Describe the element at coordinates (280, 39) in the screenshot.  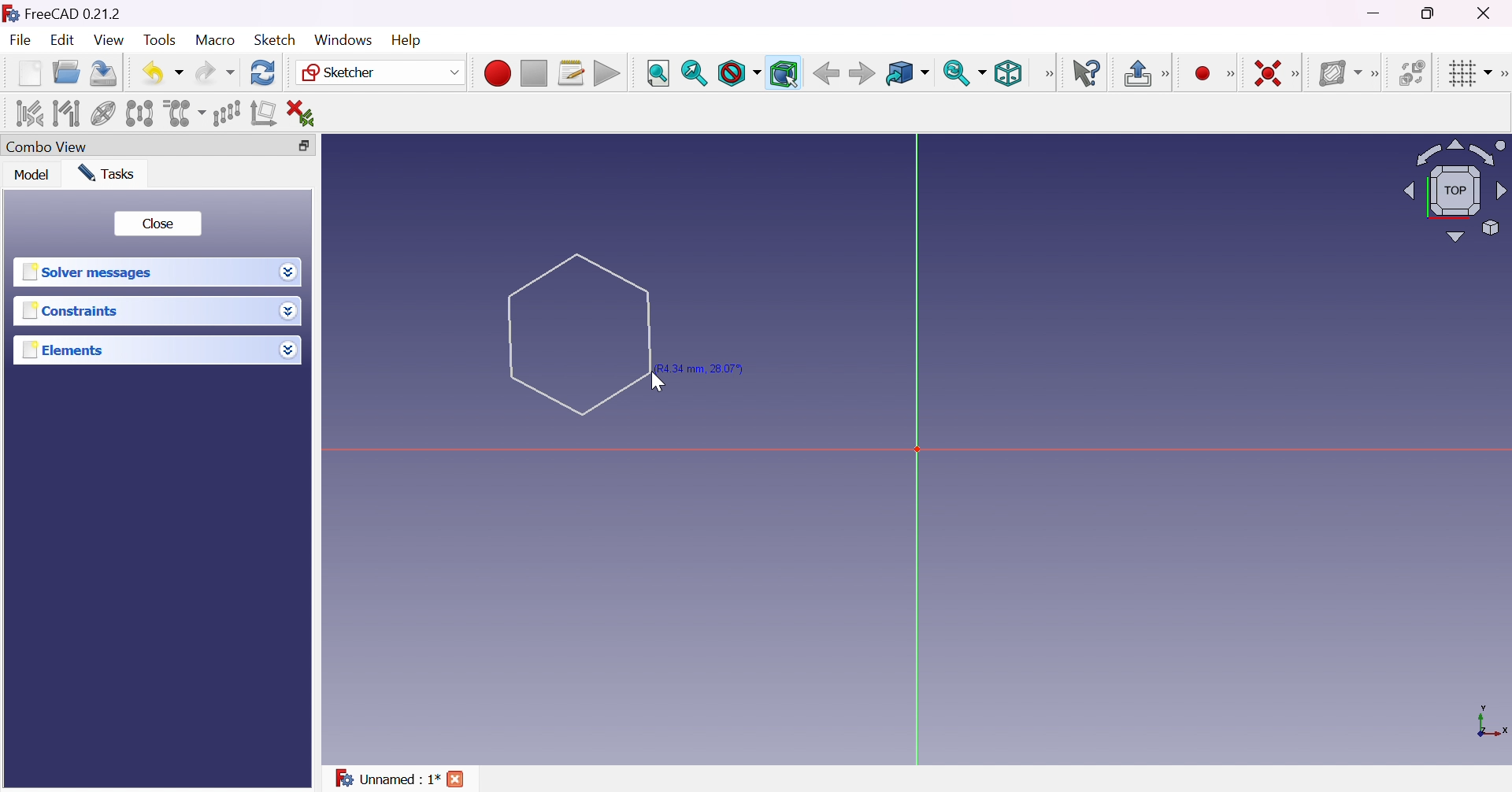
I see `Sketch` at that location.